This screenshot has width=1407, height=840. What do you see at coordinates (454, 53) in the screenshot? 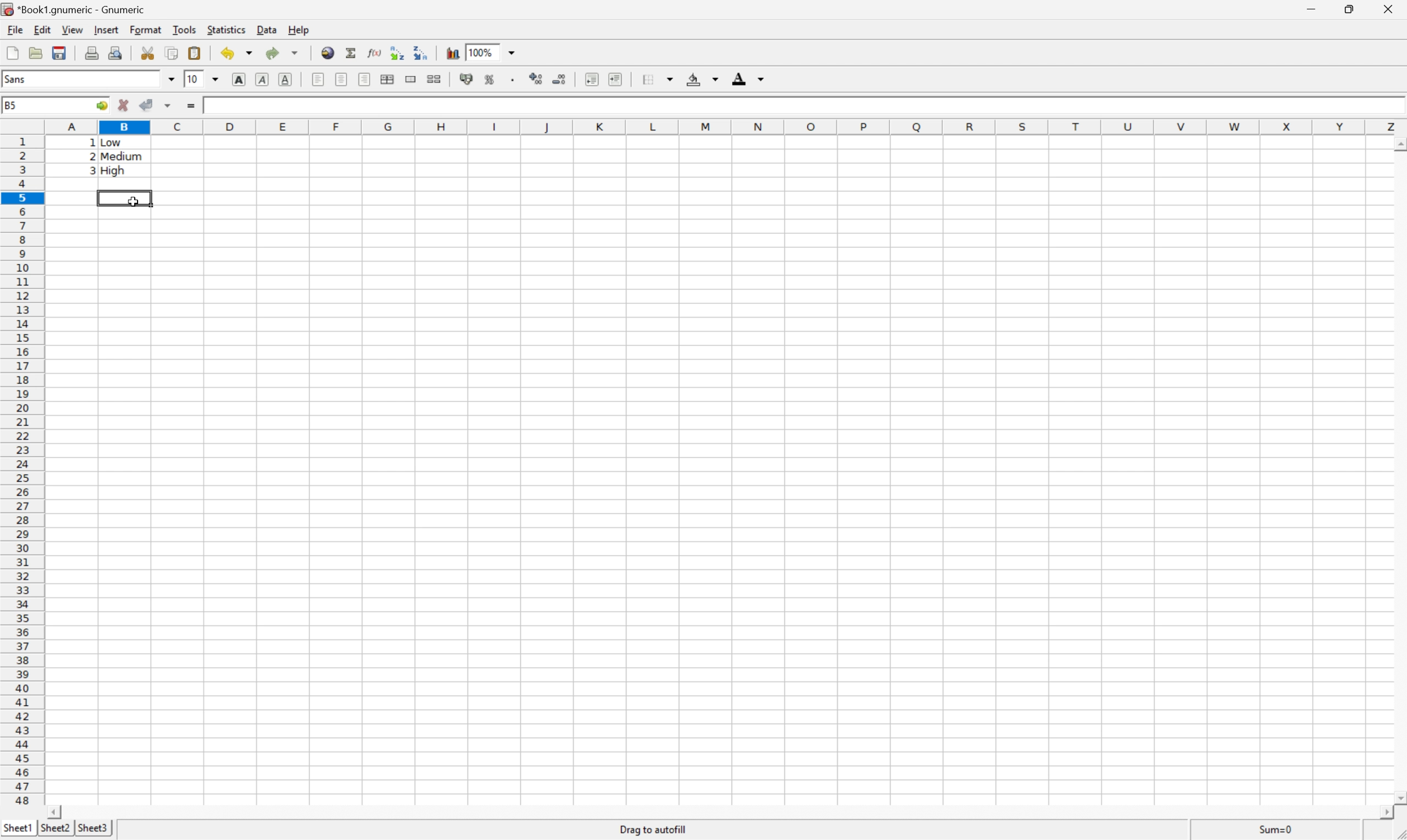
I see `Insert a chart` at bounding box center [454, 53].